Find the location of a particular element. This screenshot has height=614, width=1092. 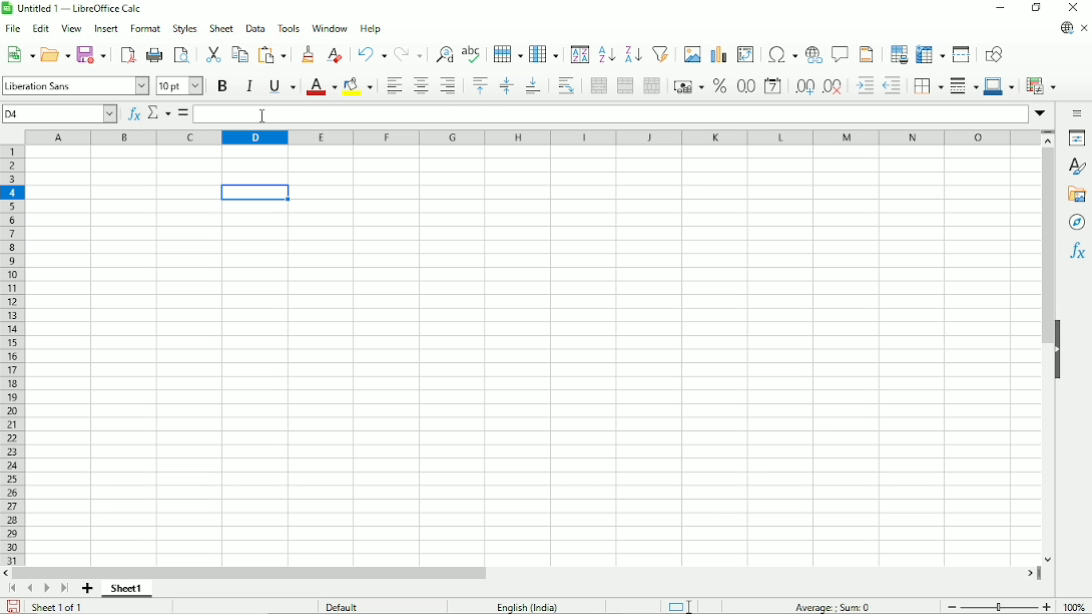

Data is located at coordinates (256, 28).